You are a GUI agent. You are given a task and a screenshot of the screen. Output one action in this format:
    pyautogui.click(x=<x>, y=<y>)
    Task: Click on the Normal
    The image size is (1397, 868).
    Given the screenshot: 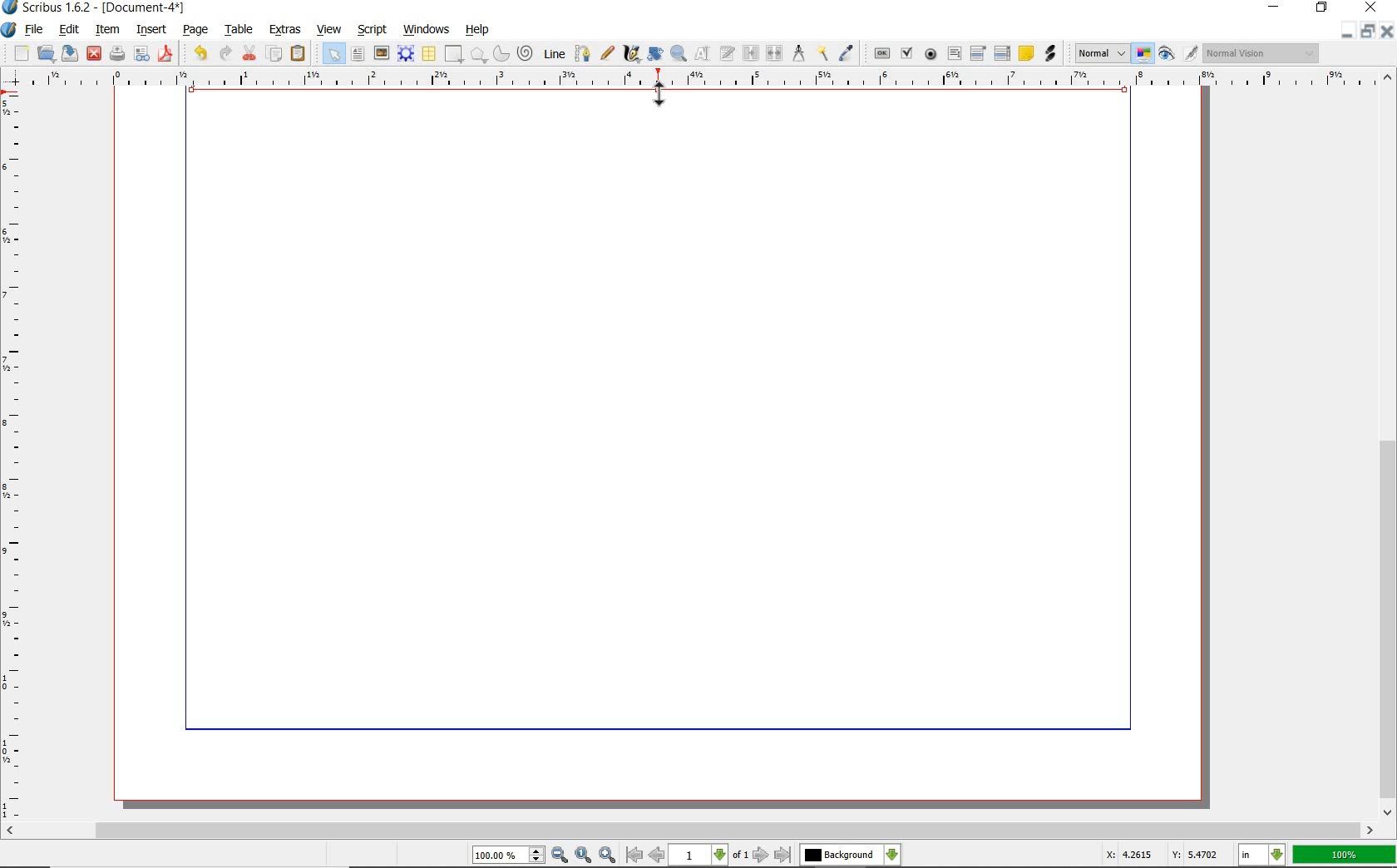 What is the action you would take?
    pyautogui.click(x=1101, y=53)
    